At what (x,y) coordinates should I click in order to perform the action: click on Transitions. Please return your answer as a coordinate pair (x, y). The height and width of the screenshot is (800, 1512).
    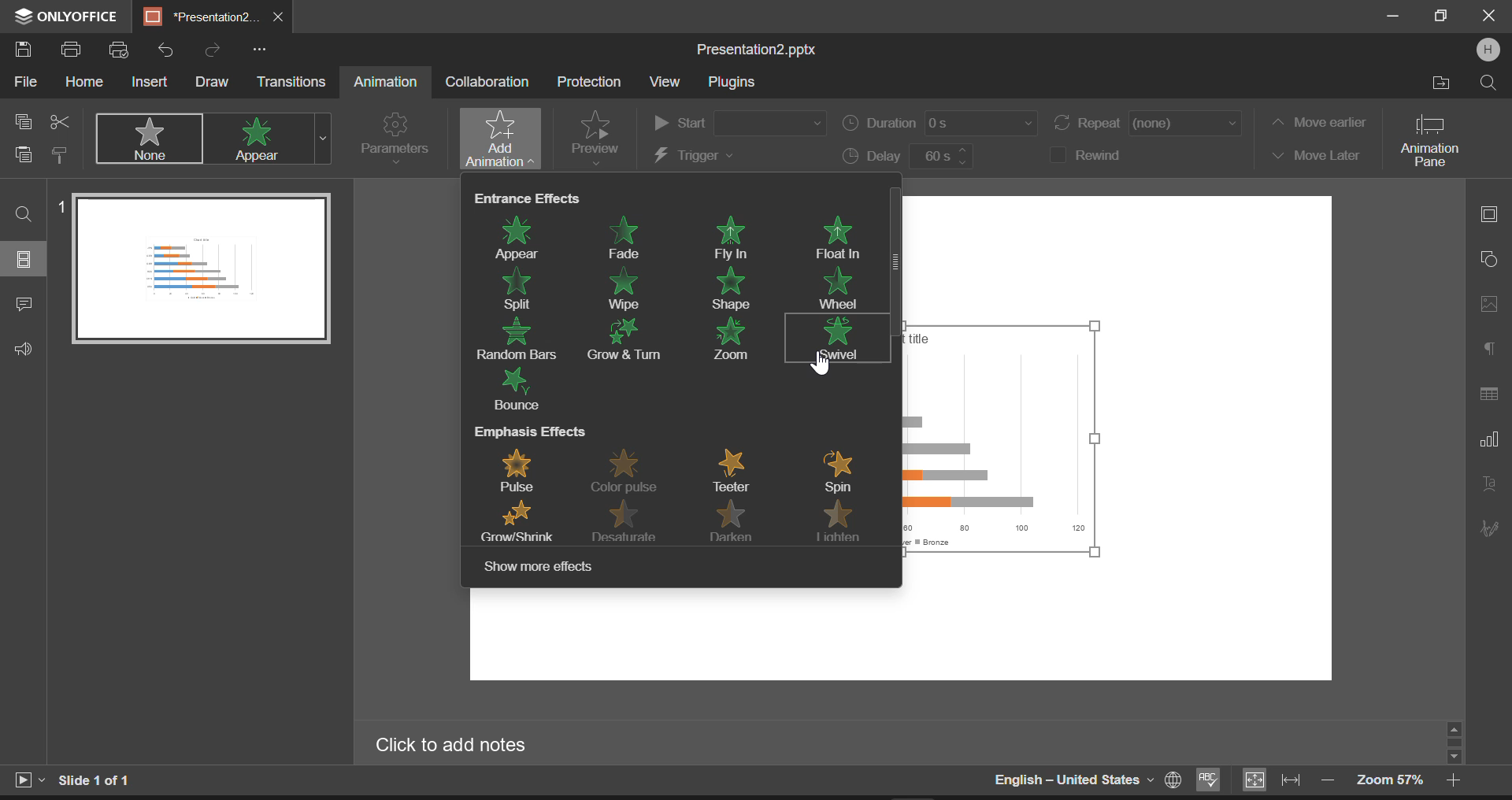
    Looking at the image, I should click on (293, 82).